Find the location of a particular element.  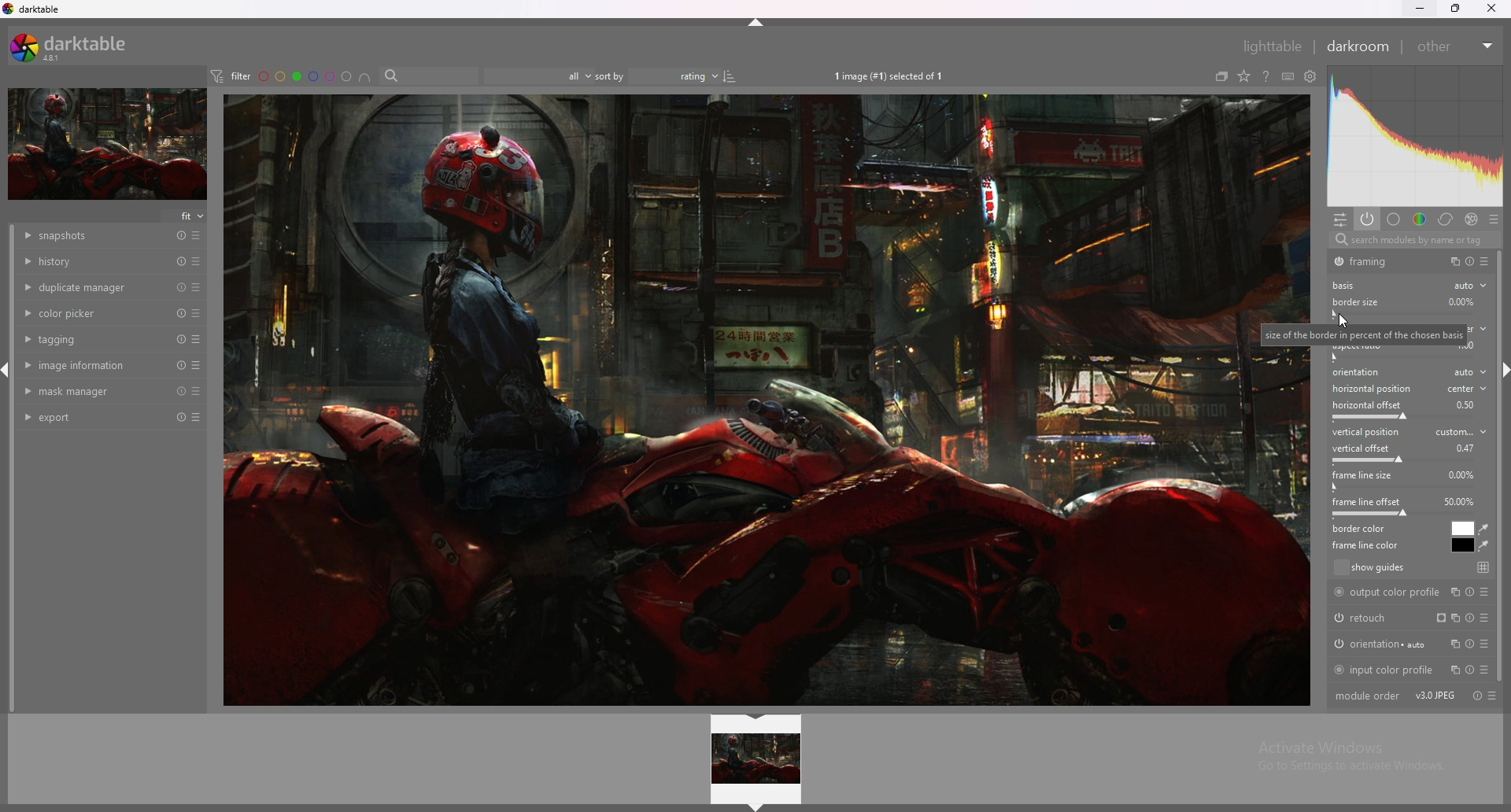

photo heatmap is located at coordinates (1416, 135).